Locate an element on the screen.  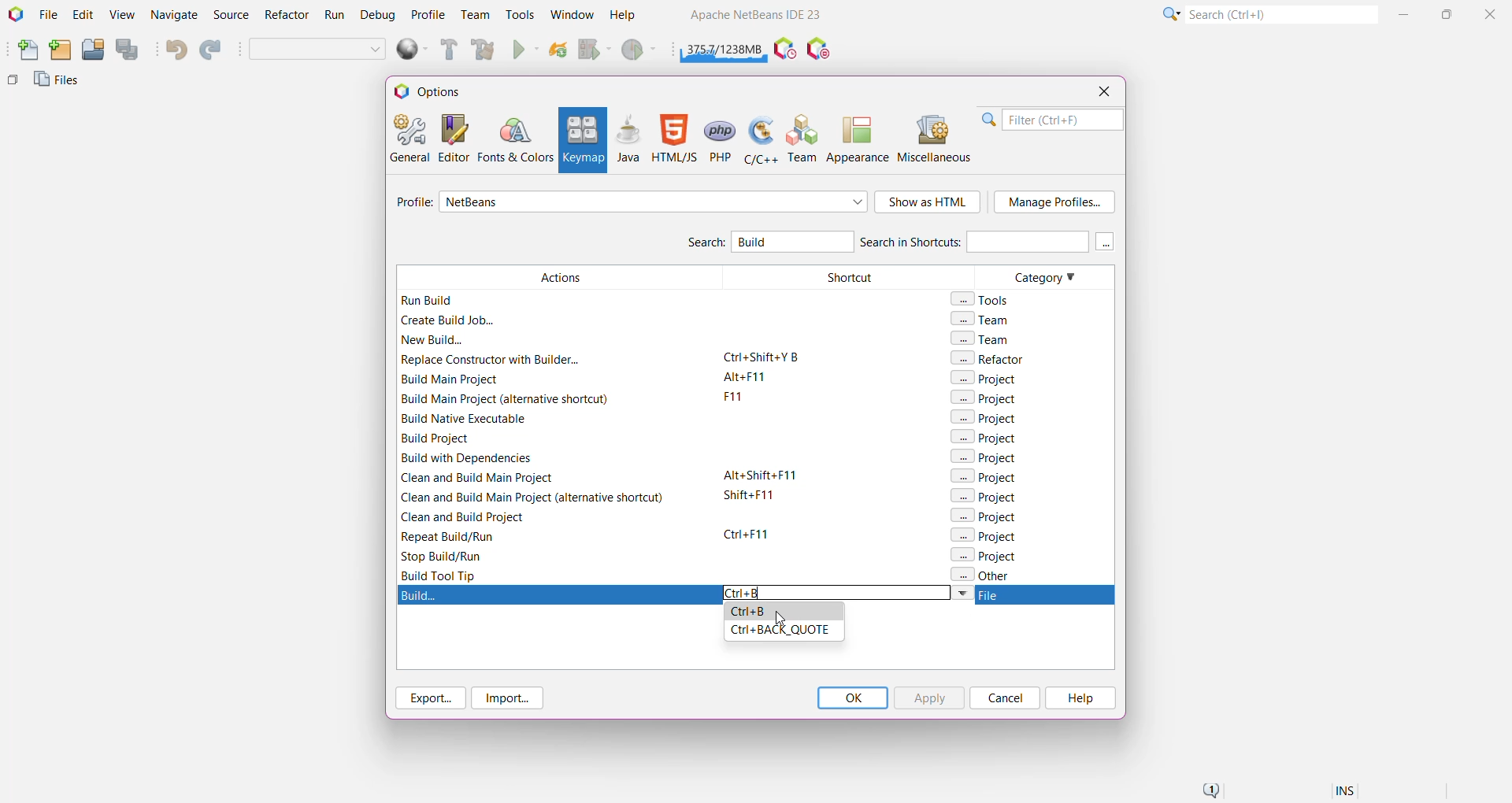
Export is located at coordinates (428, 698).